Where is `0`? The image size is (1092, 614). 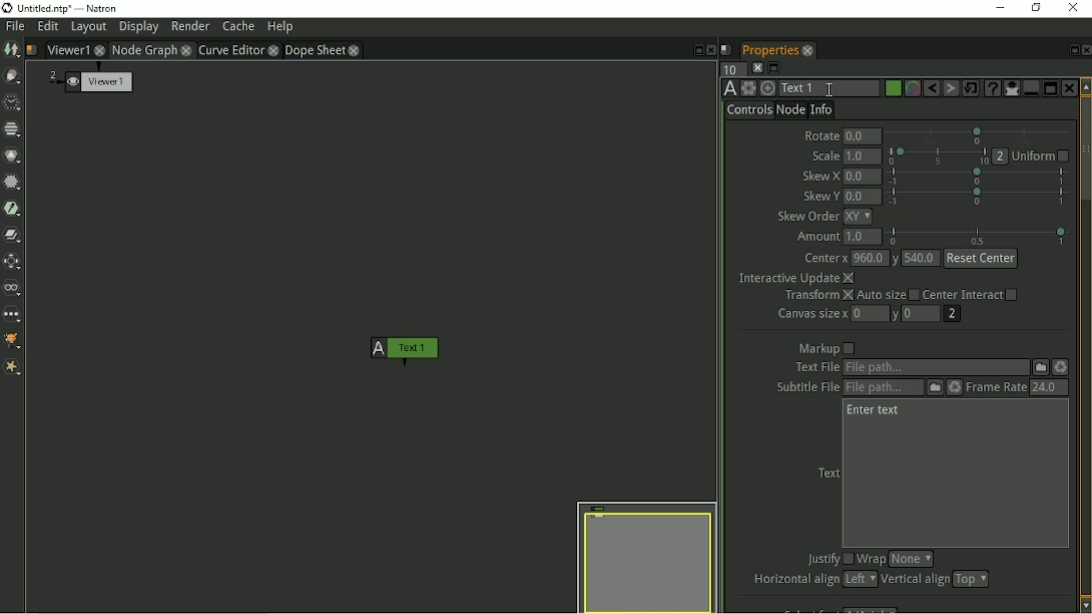 0 is located at coordinates (868, 313).